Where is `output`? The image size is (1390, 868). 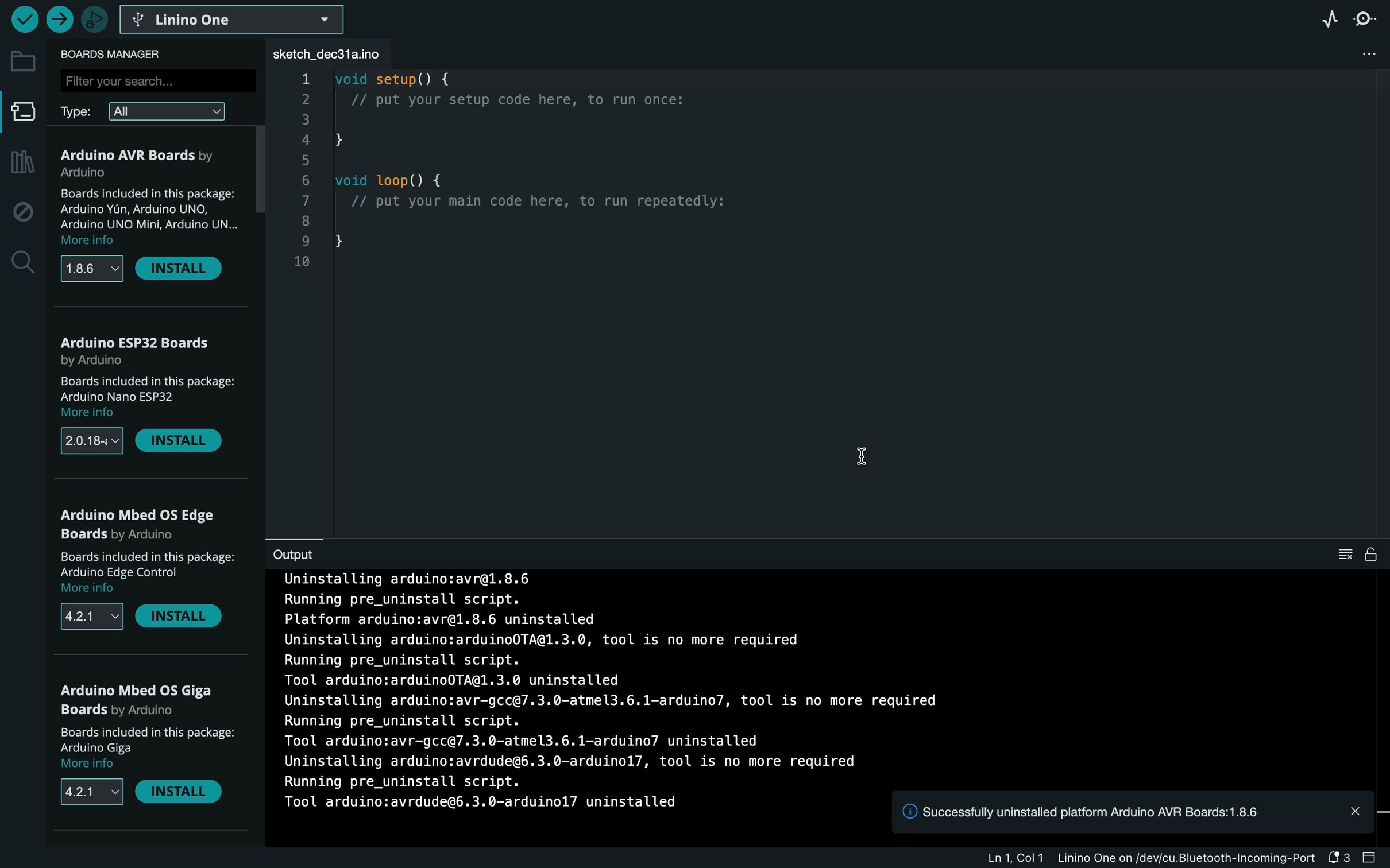
output is located at coordinates (308, 551).